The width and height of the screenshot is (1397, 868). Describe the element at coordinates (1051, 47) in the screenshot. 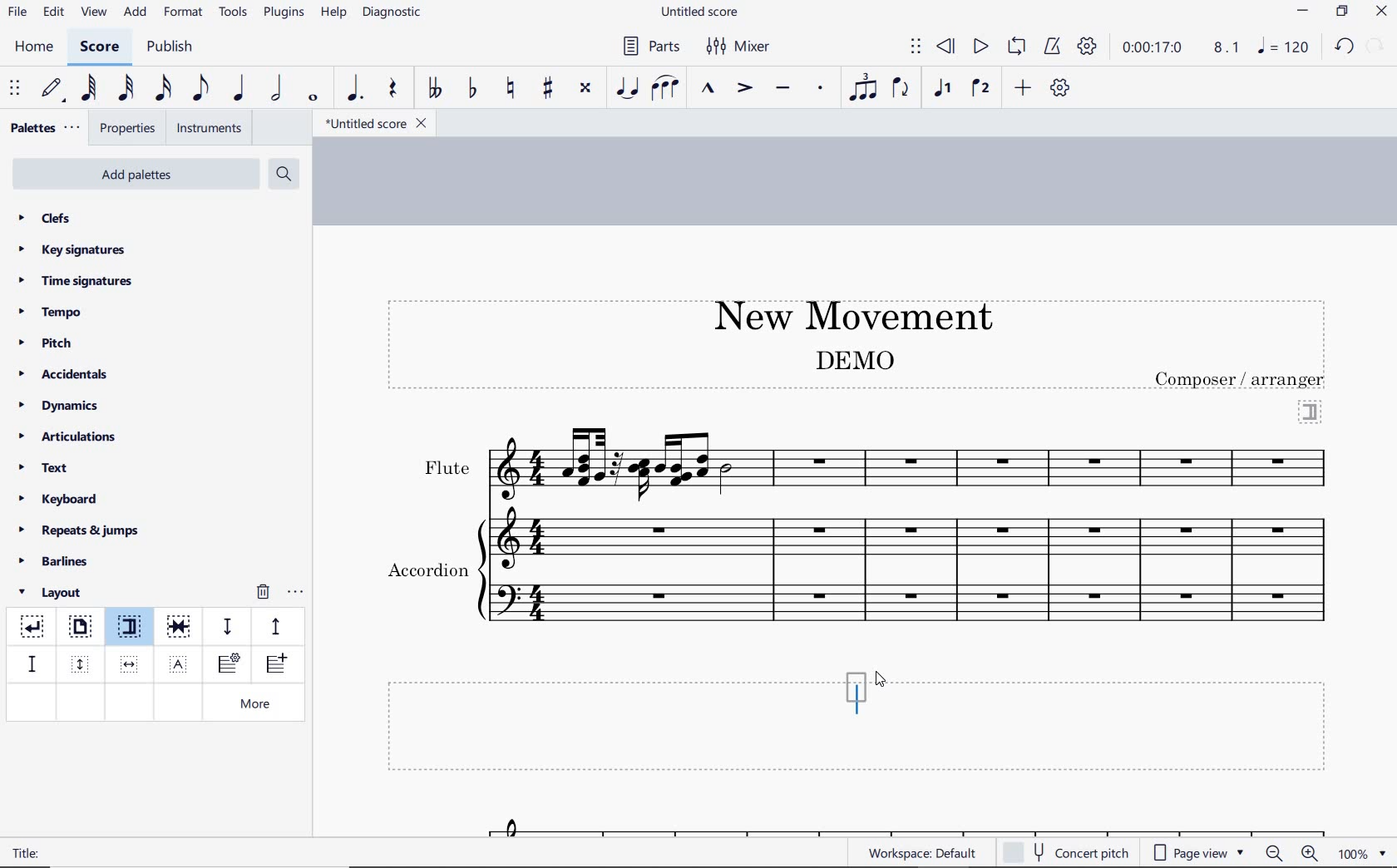

I see `metronome` at that location.